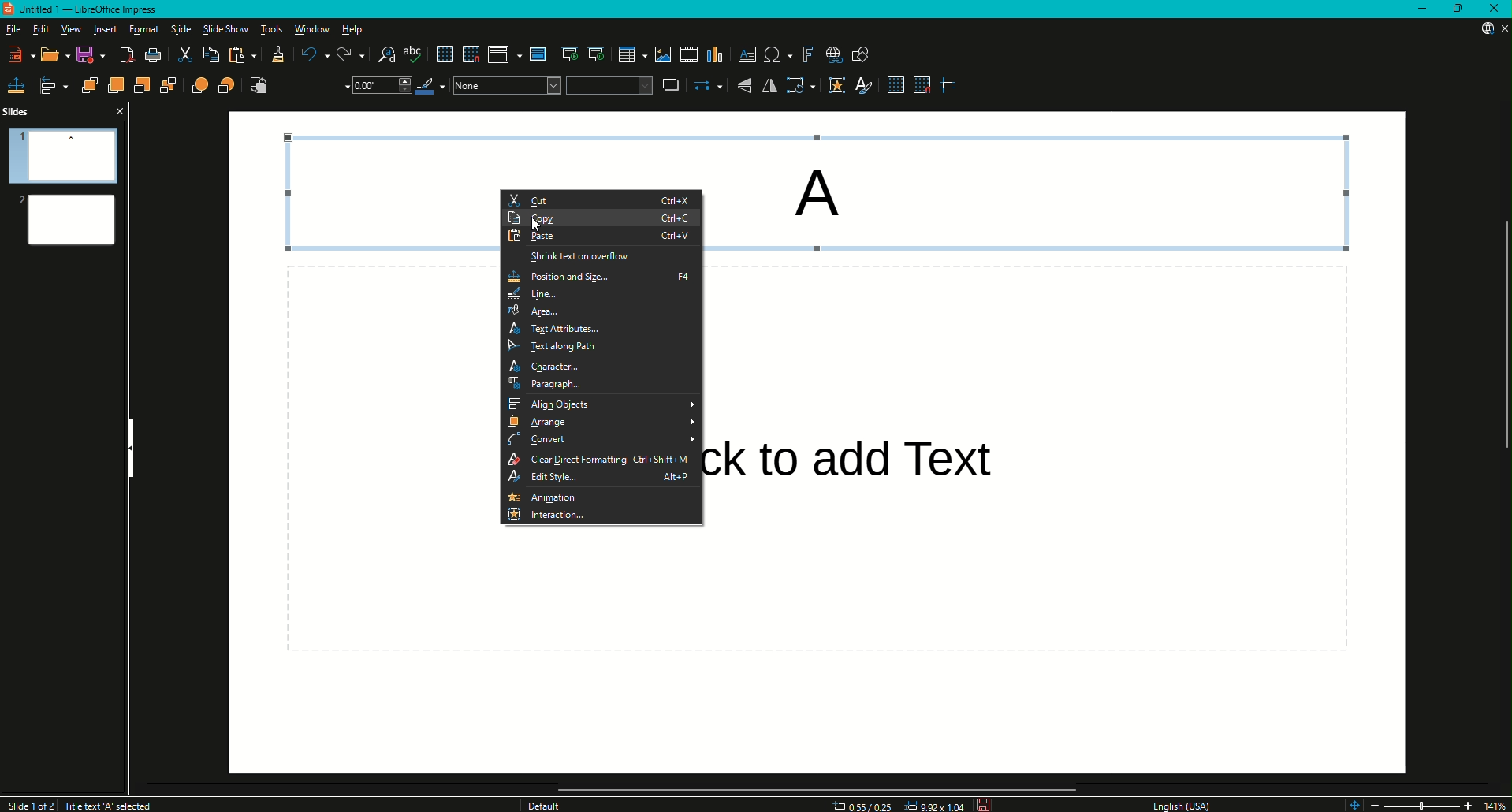  Describe the element at coordinates (440, 53) in the screenshot. I see `Display Grid` at that location.